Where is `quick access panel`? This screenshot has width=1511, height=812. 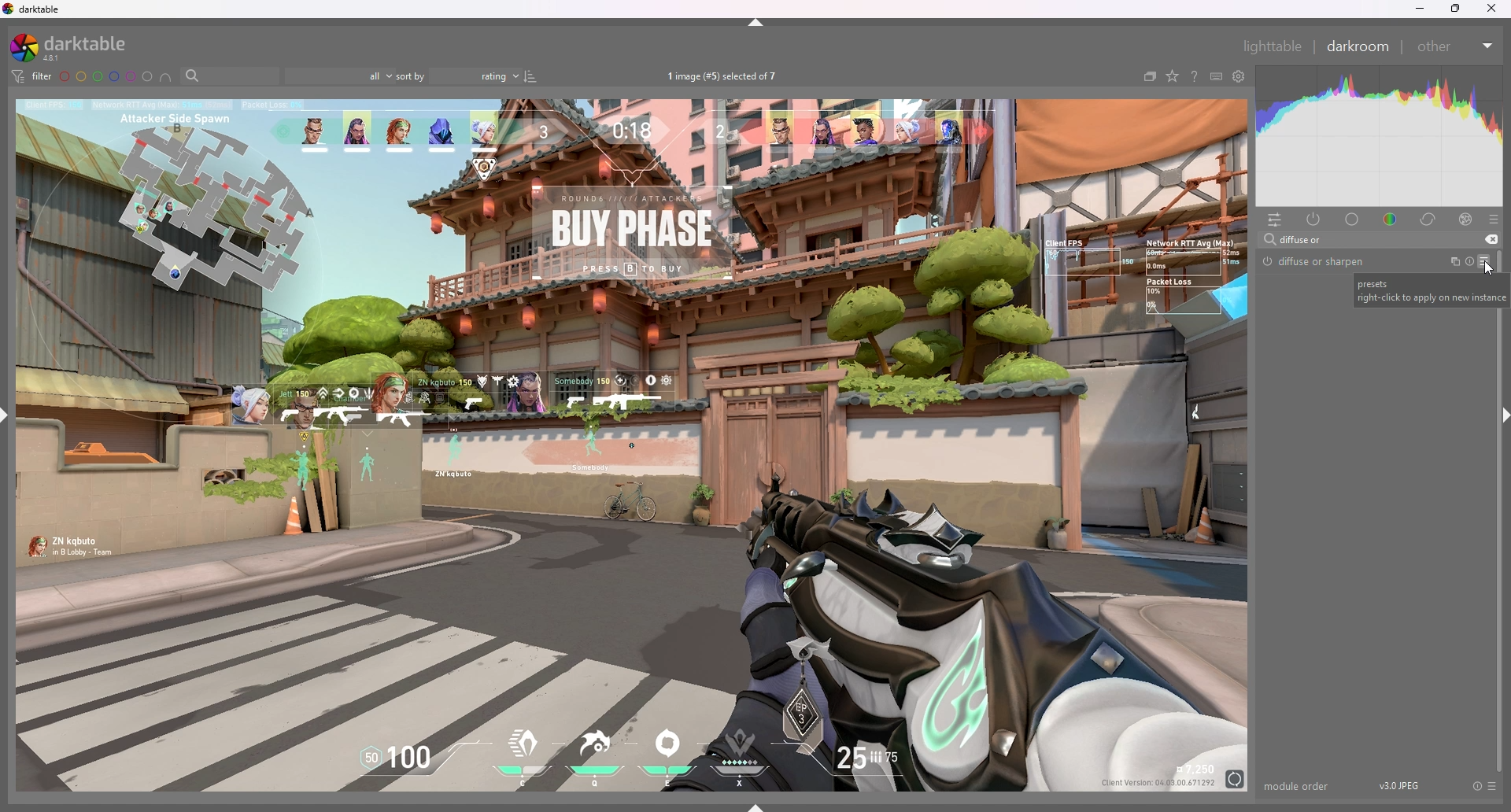
quick access panel is located at coordinates (1275, 220).